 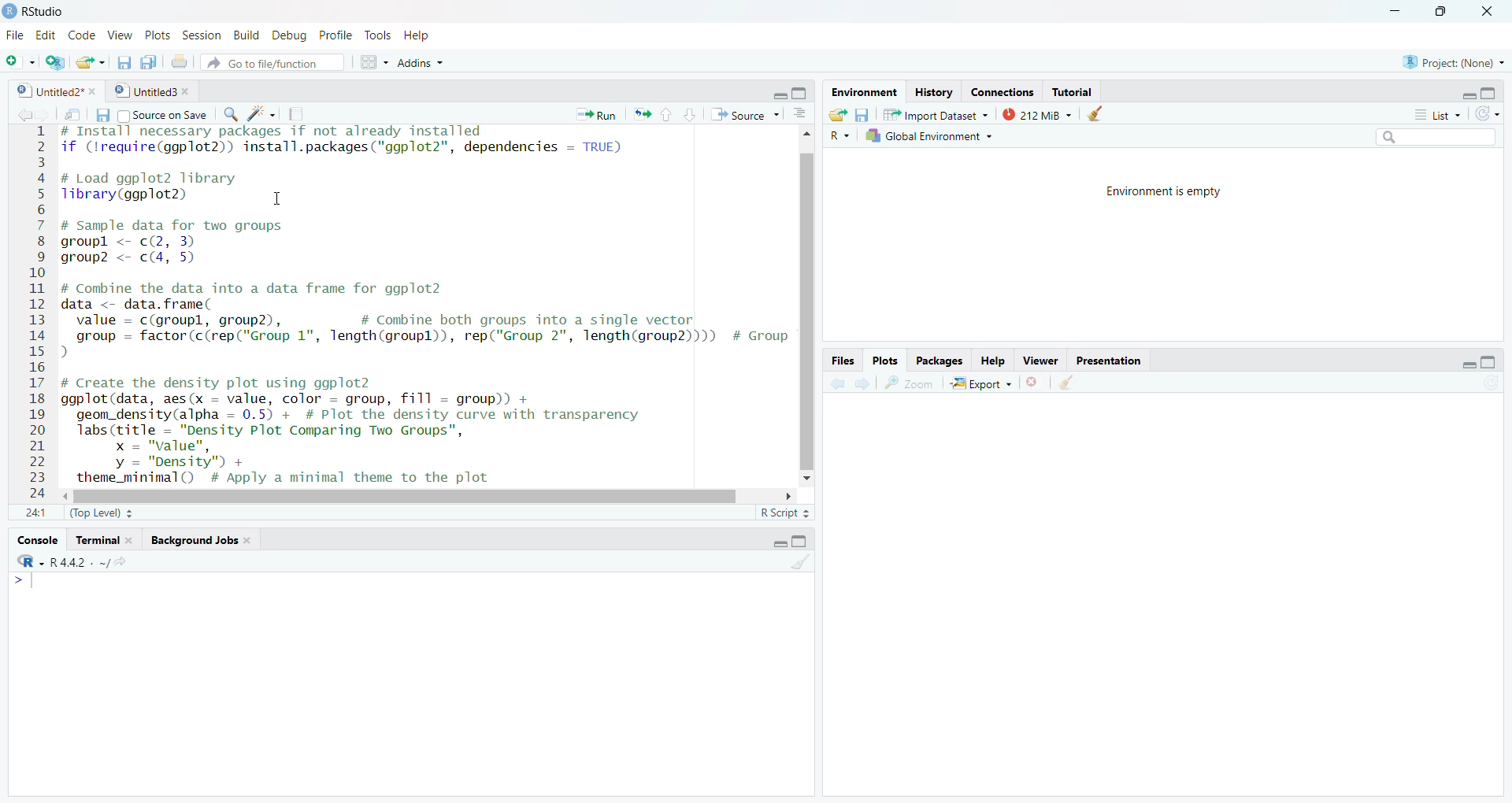 I want to click on redo, so click(x=1489, y=115).